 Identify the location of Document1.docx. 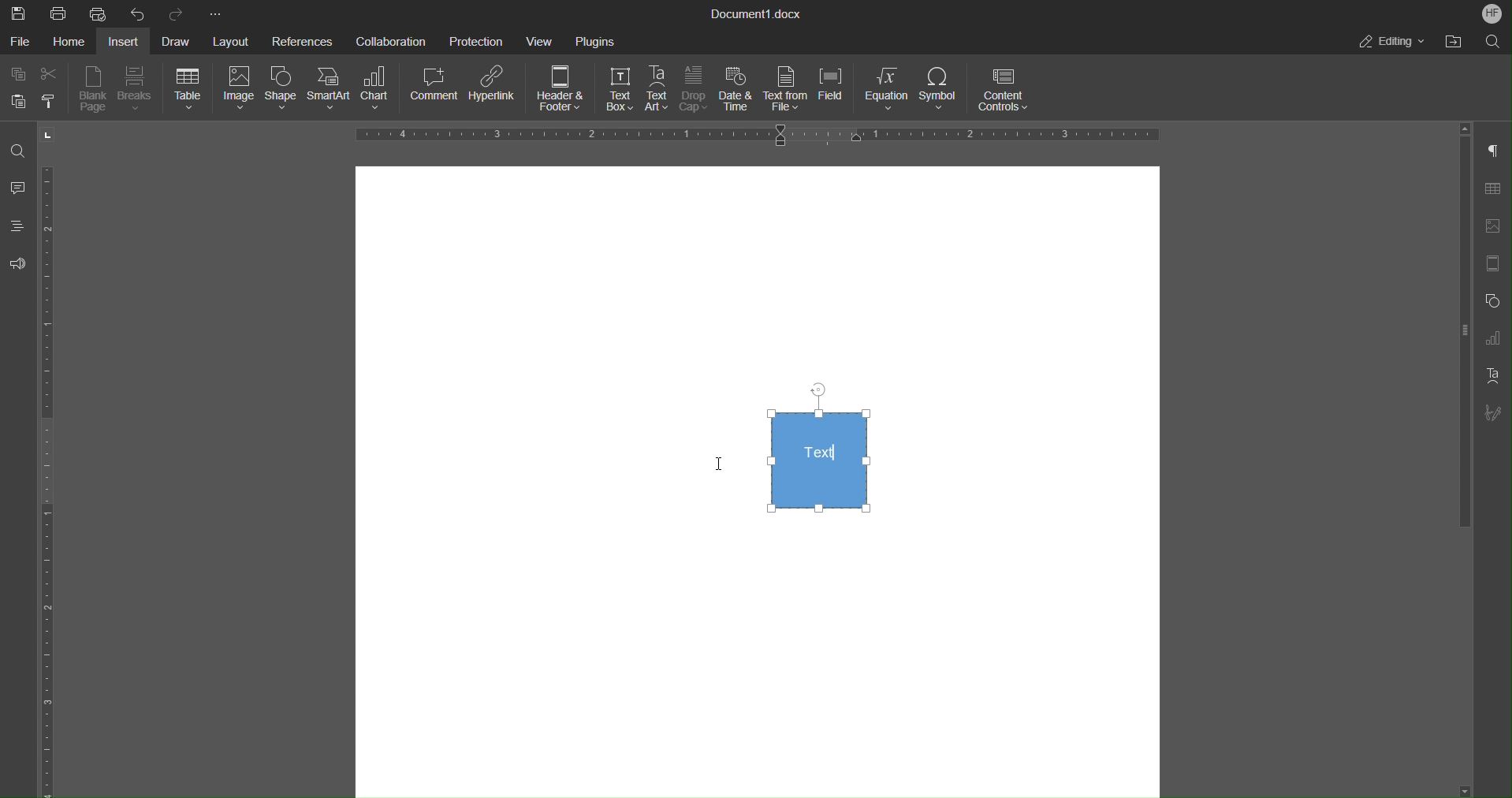
(758, 15).